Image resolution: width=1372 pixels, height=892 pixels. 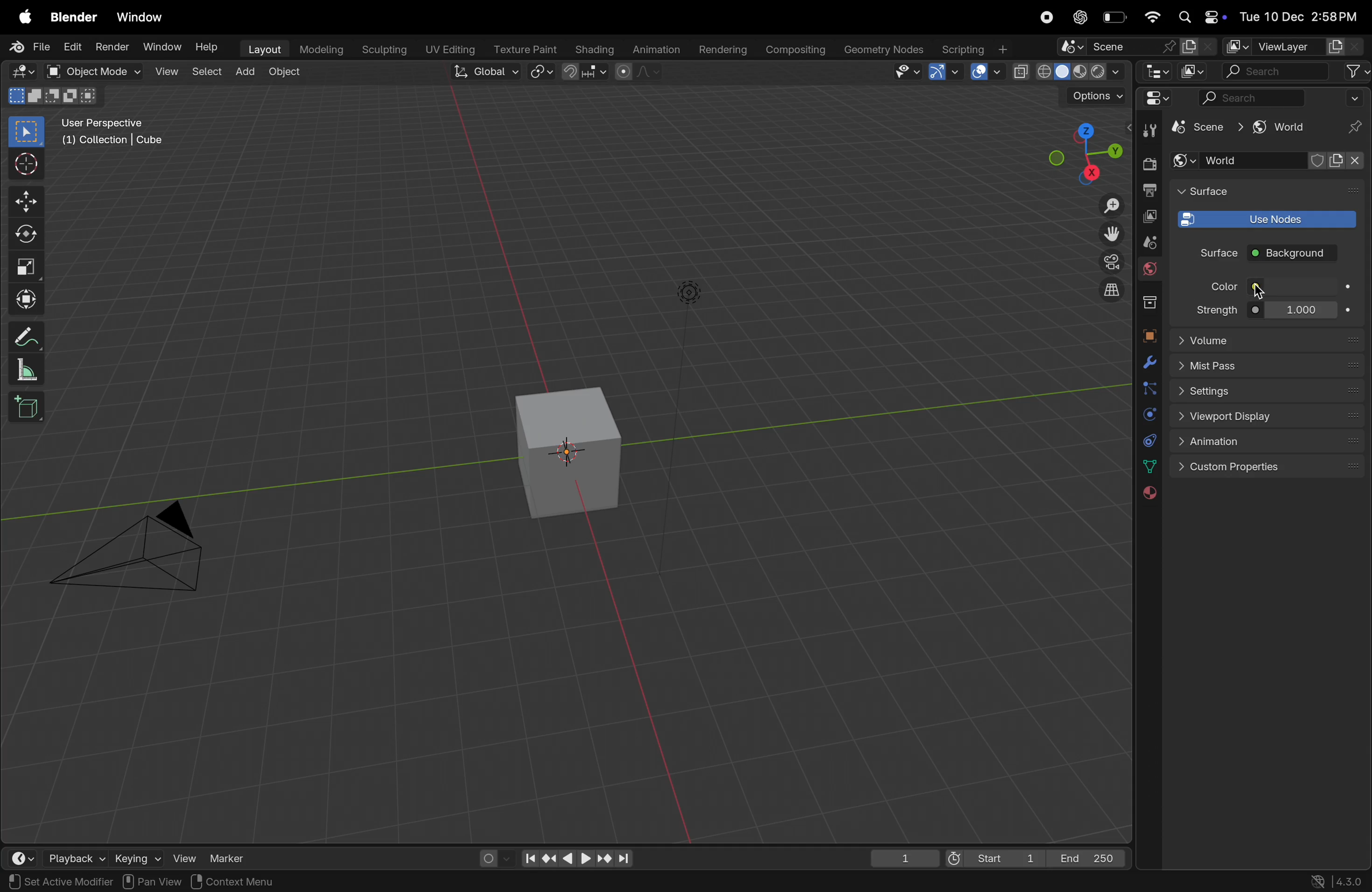 I want to click on World, so click(x=1239, y=161).